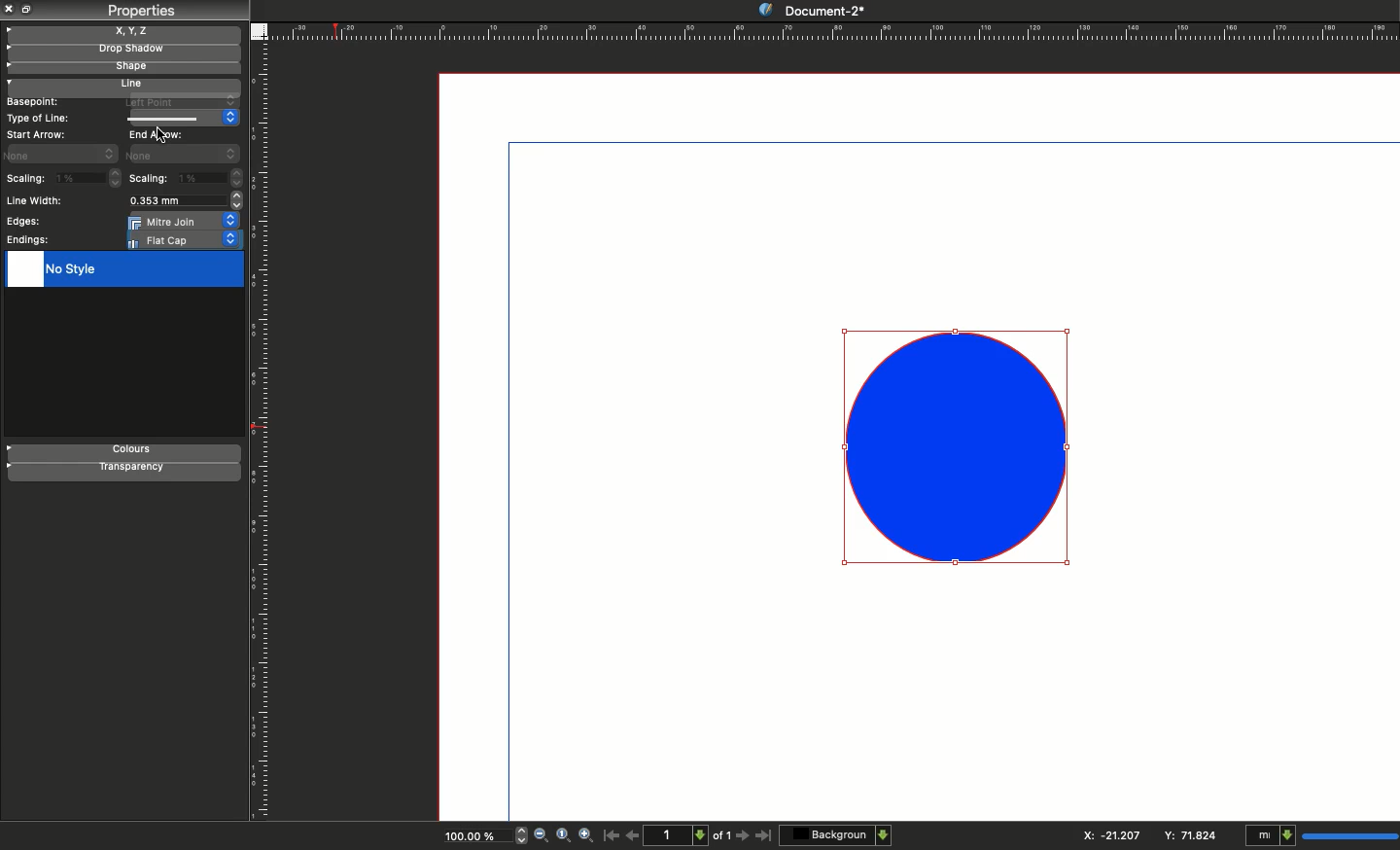 This screenshot has width=1400, height=850. I want to click on 0.353, so click(183, 201).